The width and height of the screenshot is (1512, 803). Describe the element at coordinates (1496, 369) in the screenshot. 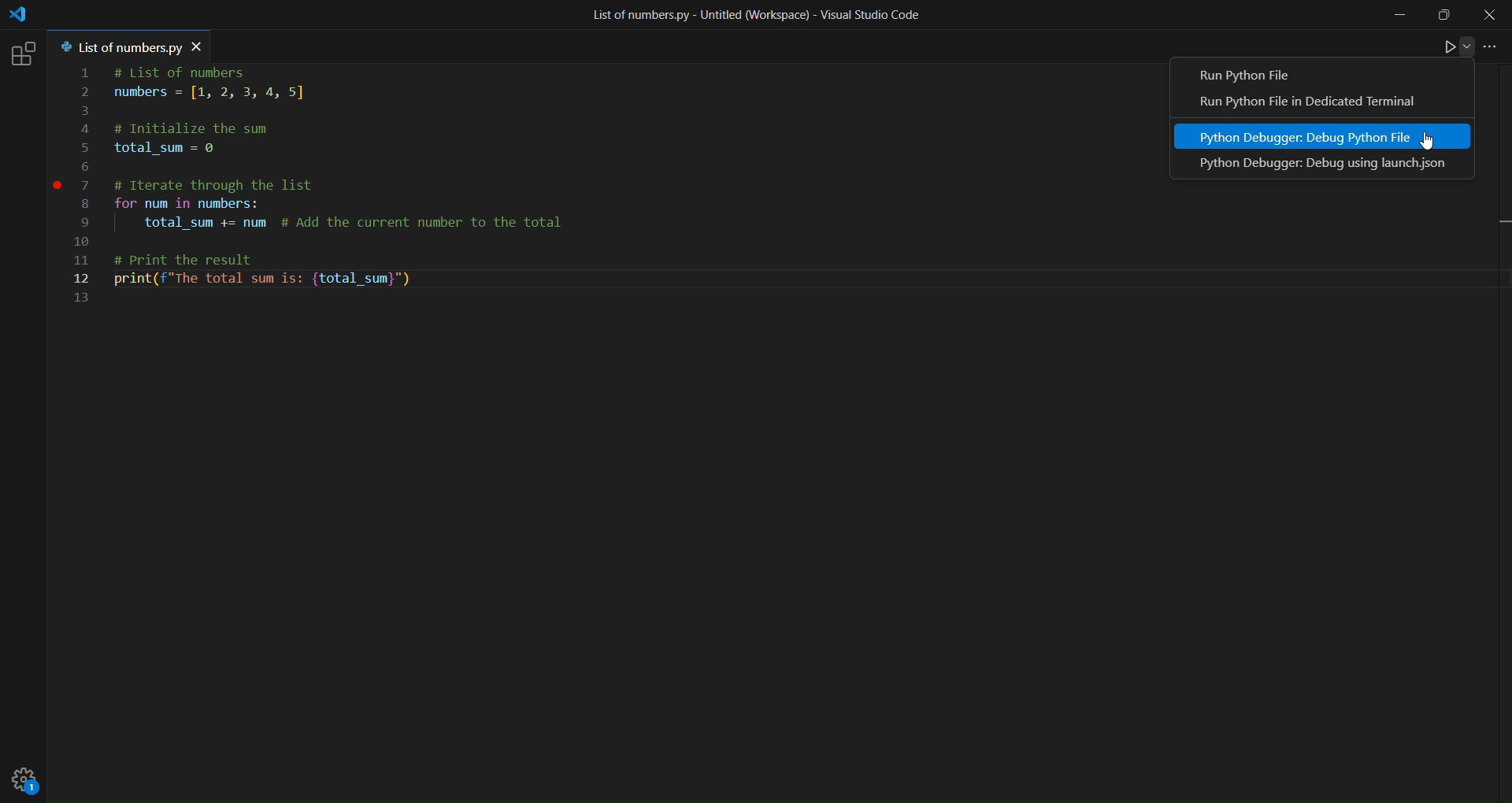

I see `scroll bar` at that location.